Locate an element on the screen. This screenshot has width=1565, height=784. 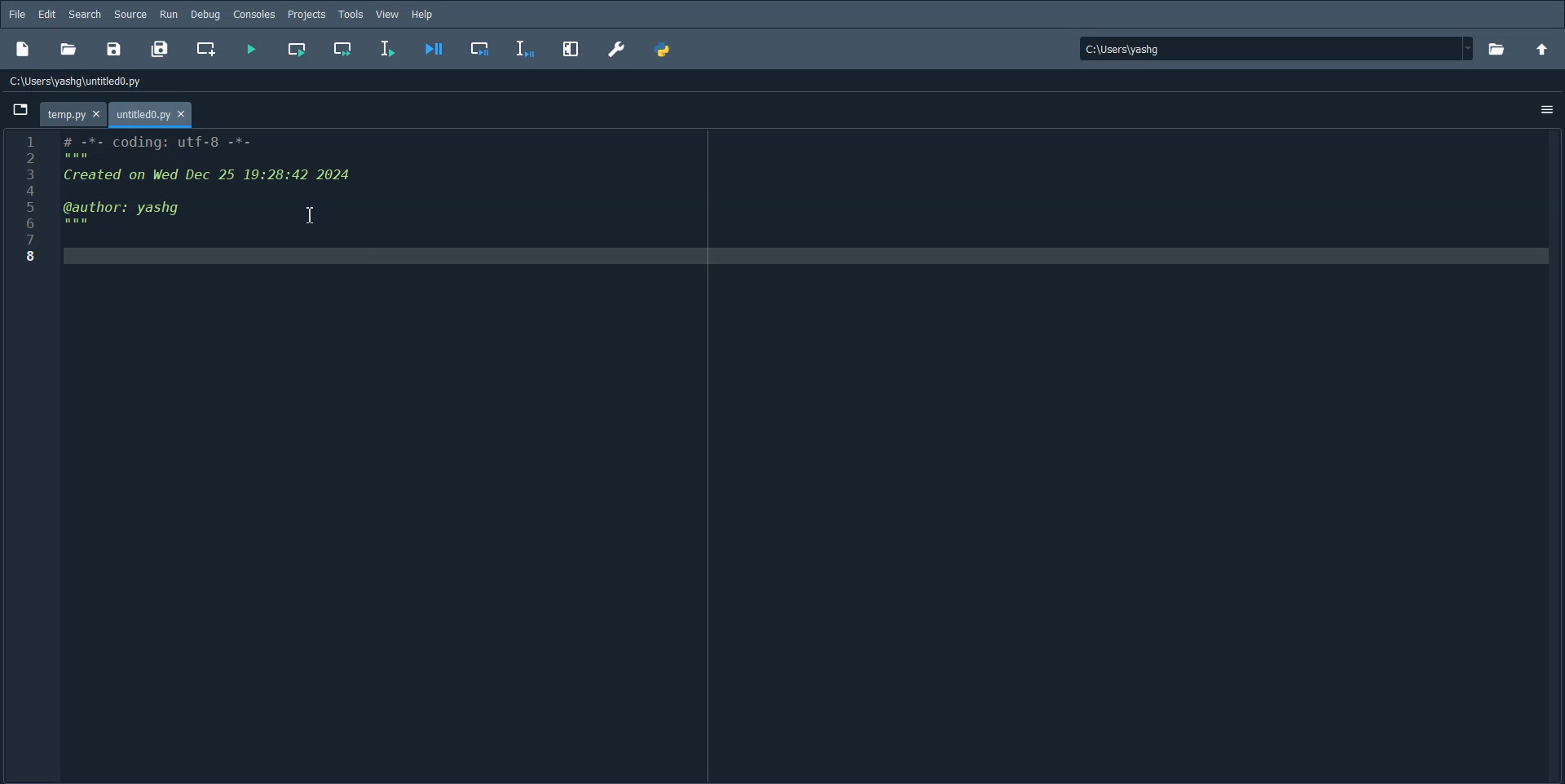
More Option is located at coordinates (1546, 112).